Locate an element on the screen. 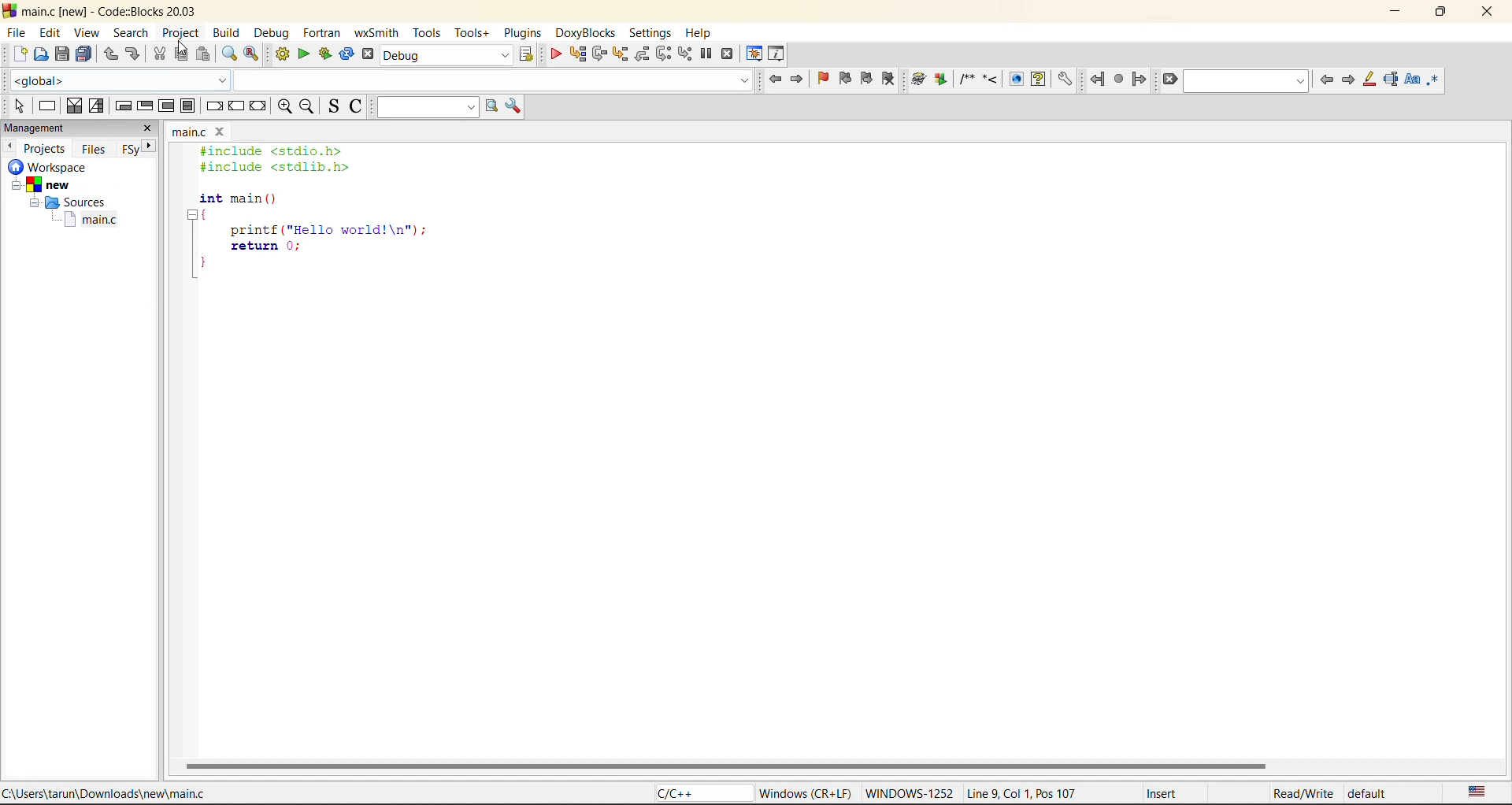 The width and height of the screenshot is (1512, 805). foxtran is located at coordinates (324, 34).